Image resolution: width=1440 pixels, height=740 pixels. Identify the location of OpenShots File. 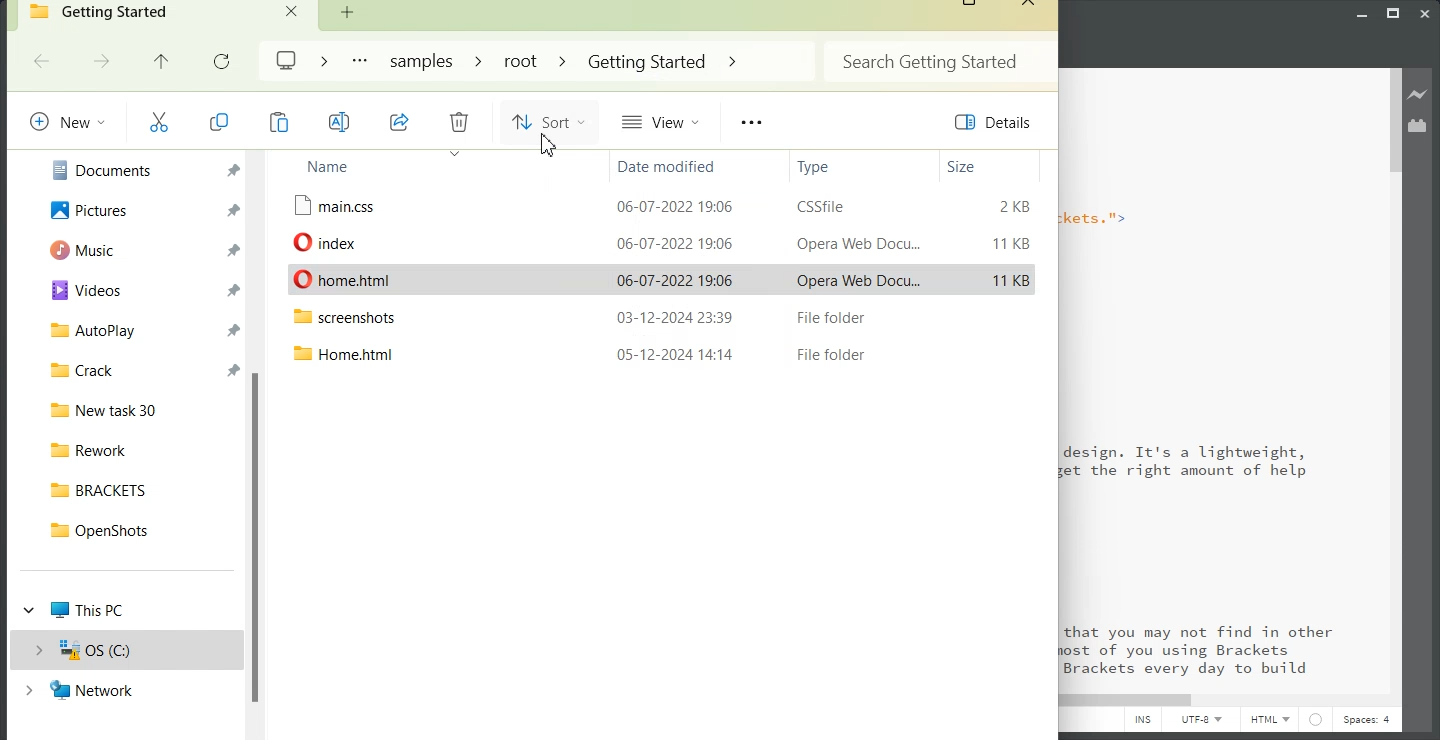
(139, 530).